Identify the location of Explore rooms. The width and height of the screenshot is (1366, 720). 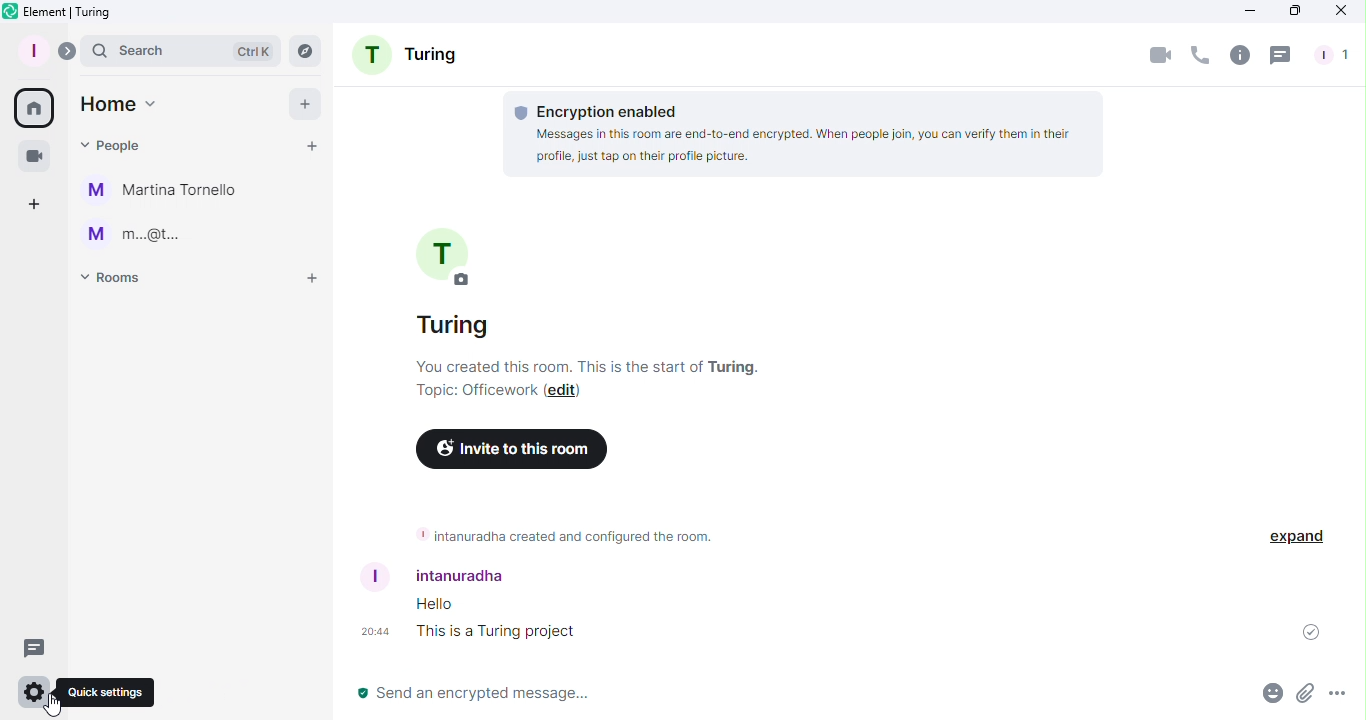
(301, 48).